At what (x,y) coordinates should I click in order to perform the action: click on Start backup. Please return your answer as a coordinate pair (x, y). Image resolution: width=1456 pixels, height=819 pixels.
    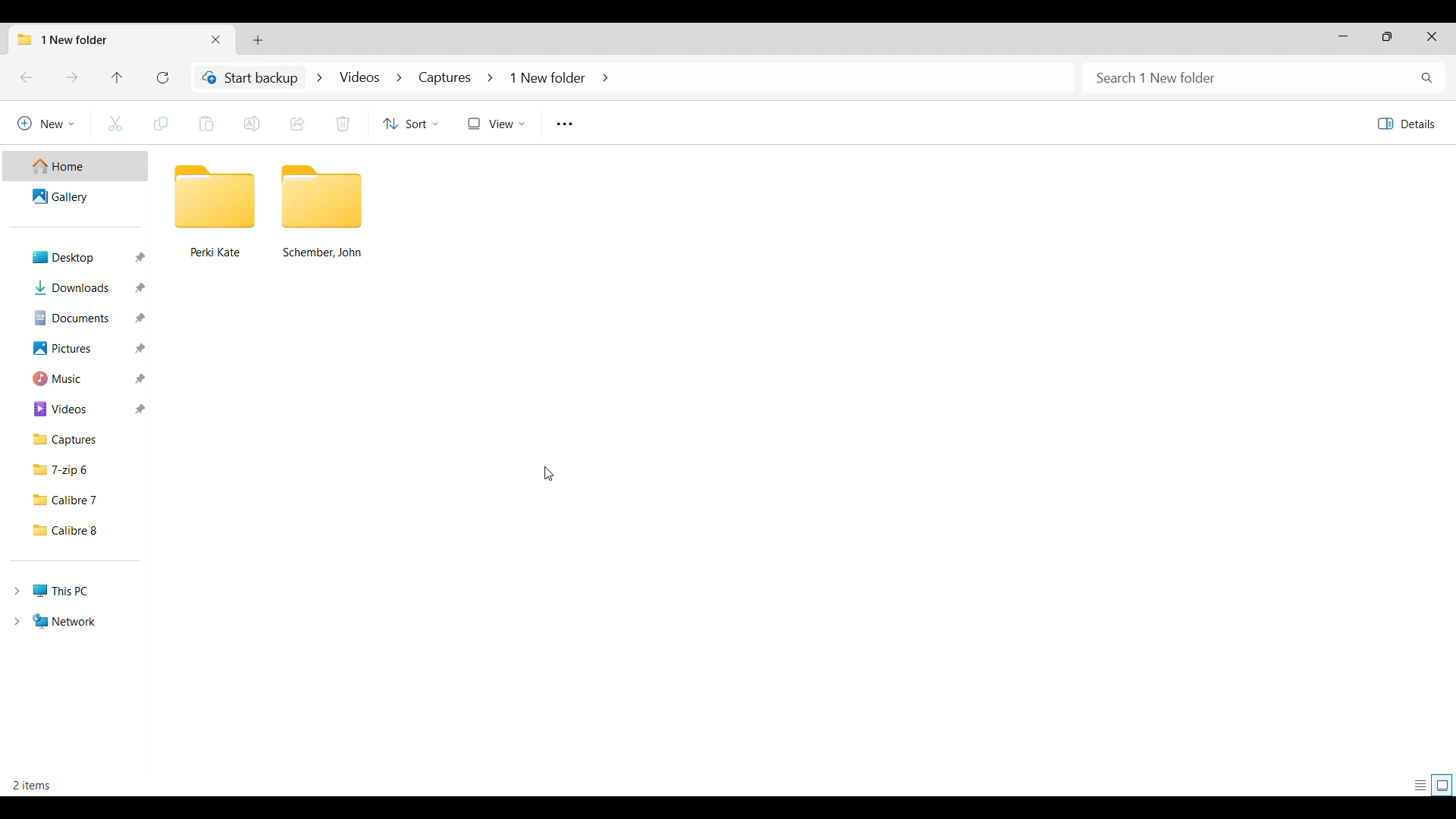
    Looking at the image, I should click on (249, 77).